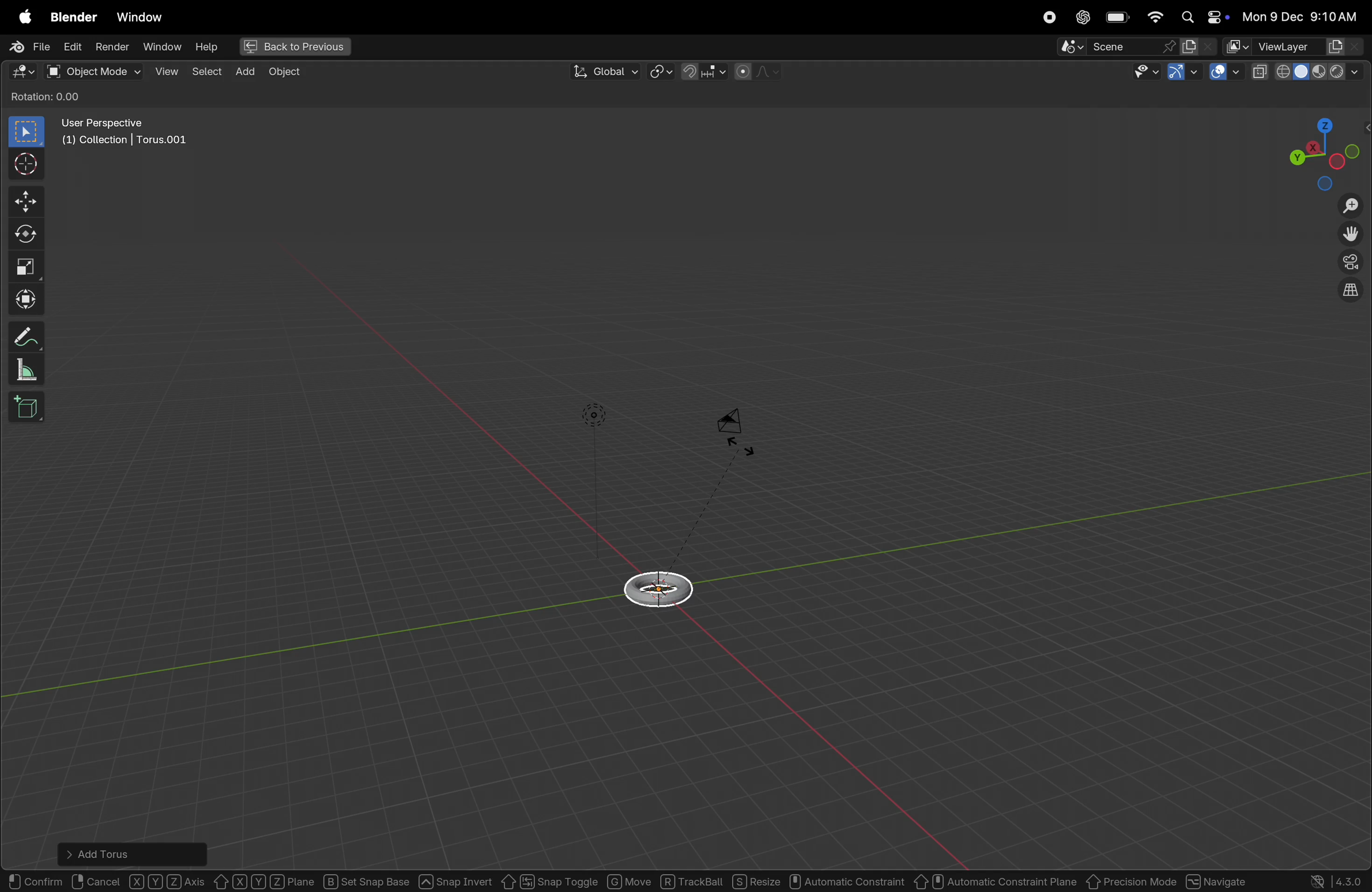  I want to click on curosor, so click(29, 163).